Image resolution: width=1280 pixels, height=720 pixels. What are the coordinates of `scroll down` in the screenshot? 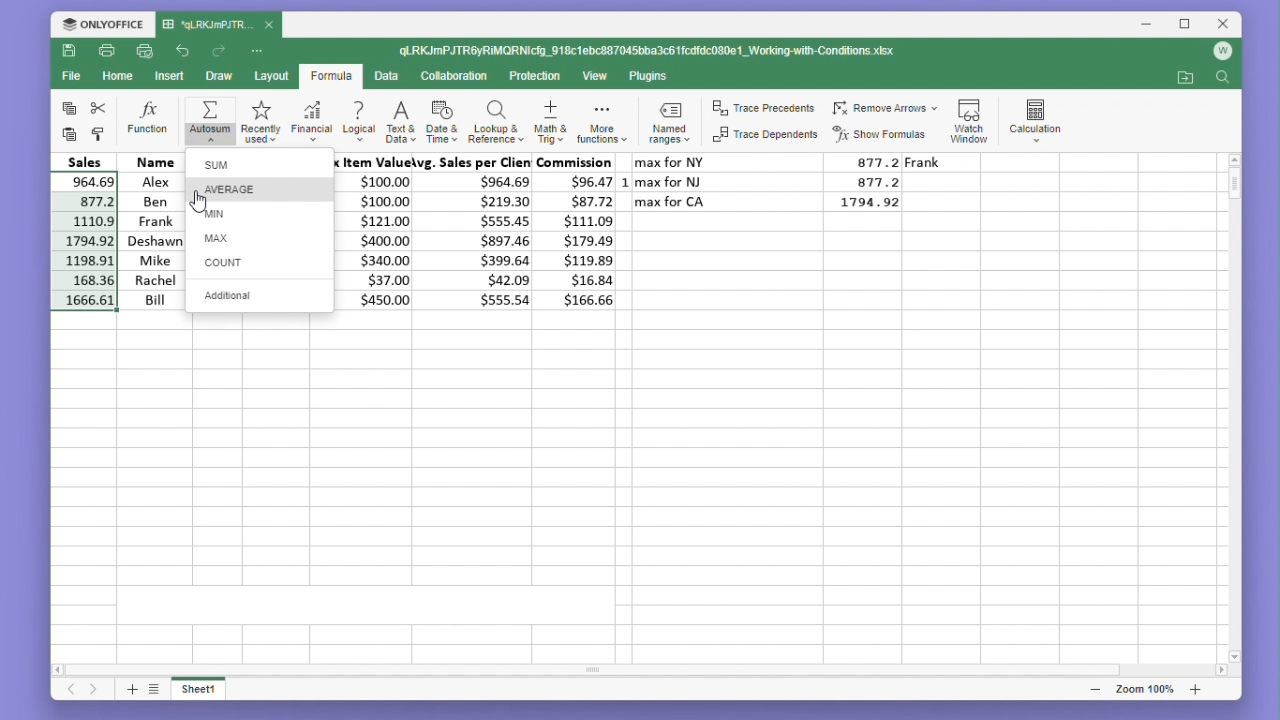 It's located at (1235, 656).